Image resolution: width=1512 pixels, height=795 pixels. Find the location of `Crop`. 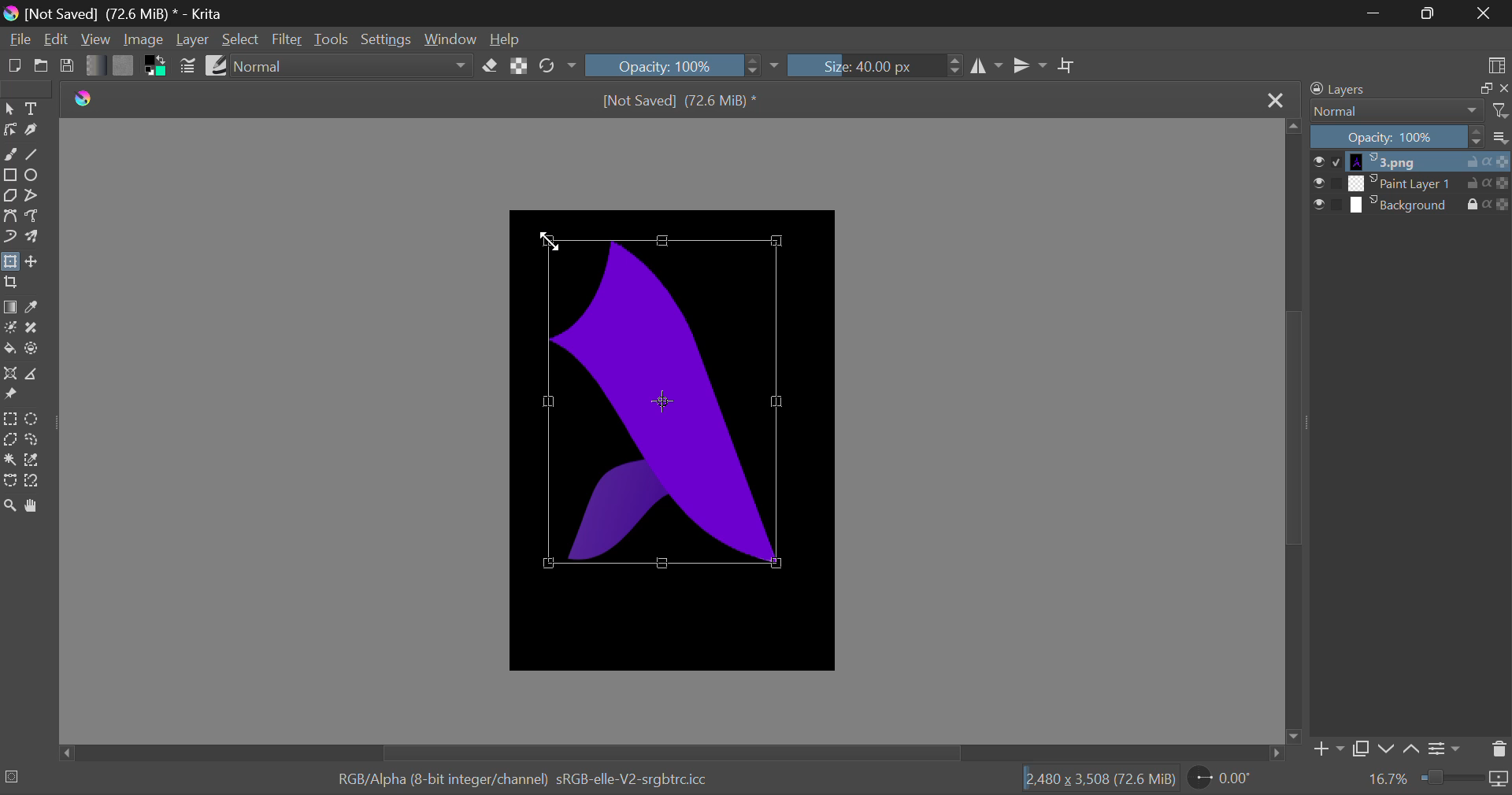

Crop is located at coordinates (13, 283).